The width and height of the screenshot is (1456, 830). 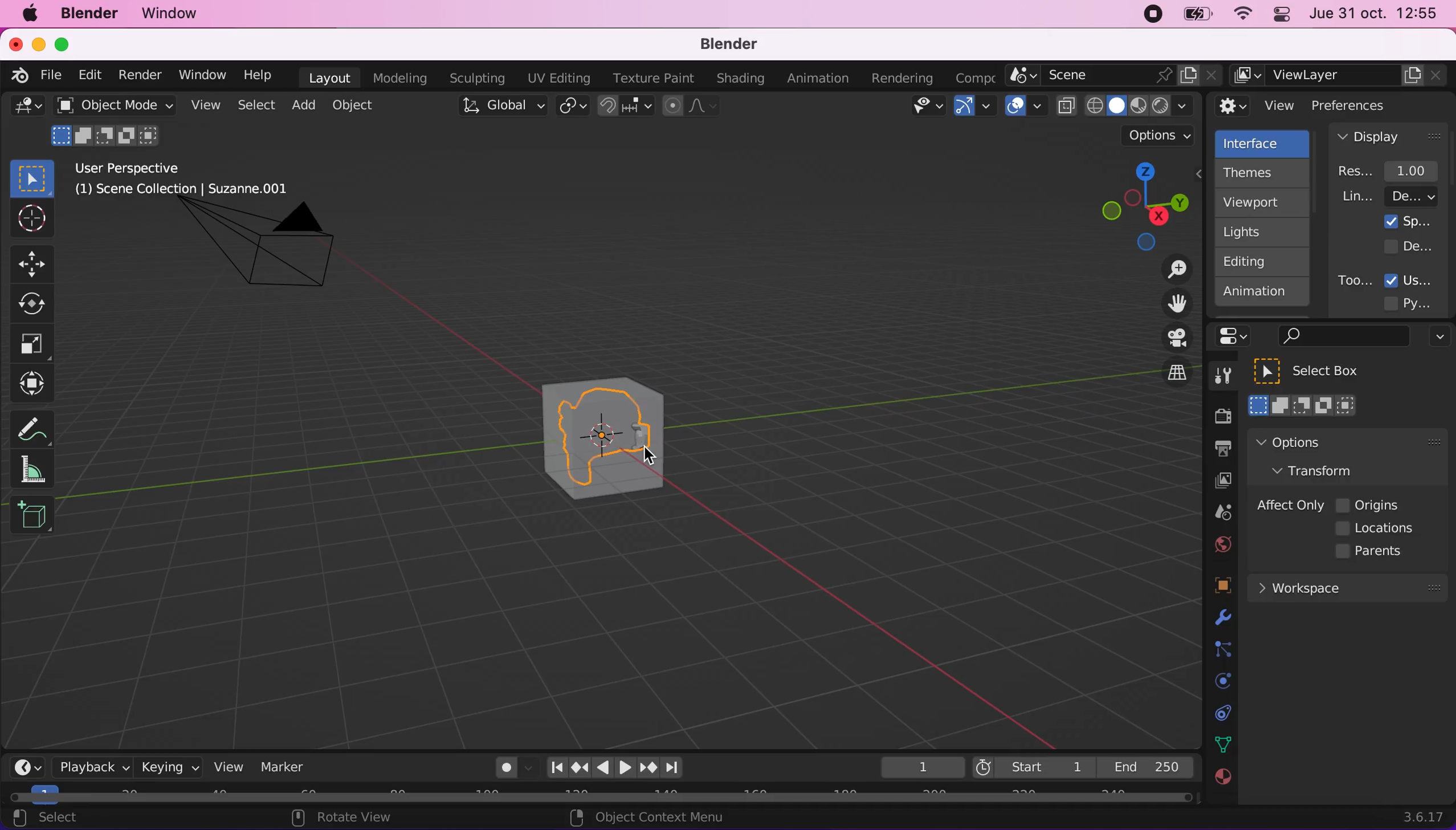 I want to click on tooltips, so click(x=1354, y=280).